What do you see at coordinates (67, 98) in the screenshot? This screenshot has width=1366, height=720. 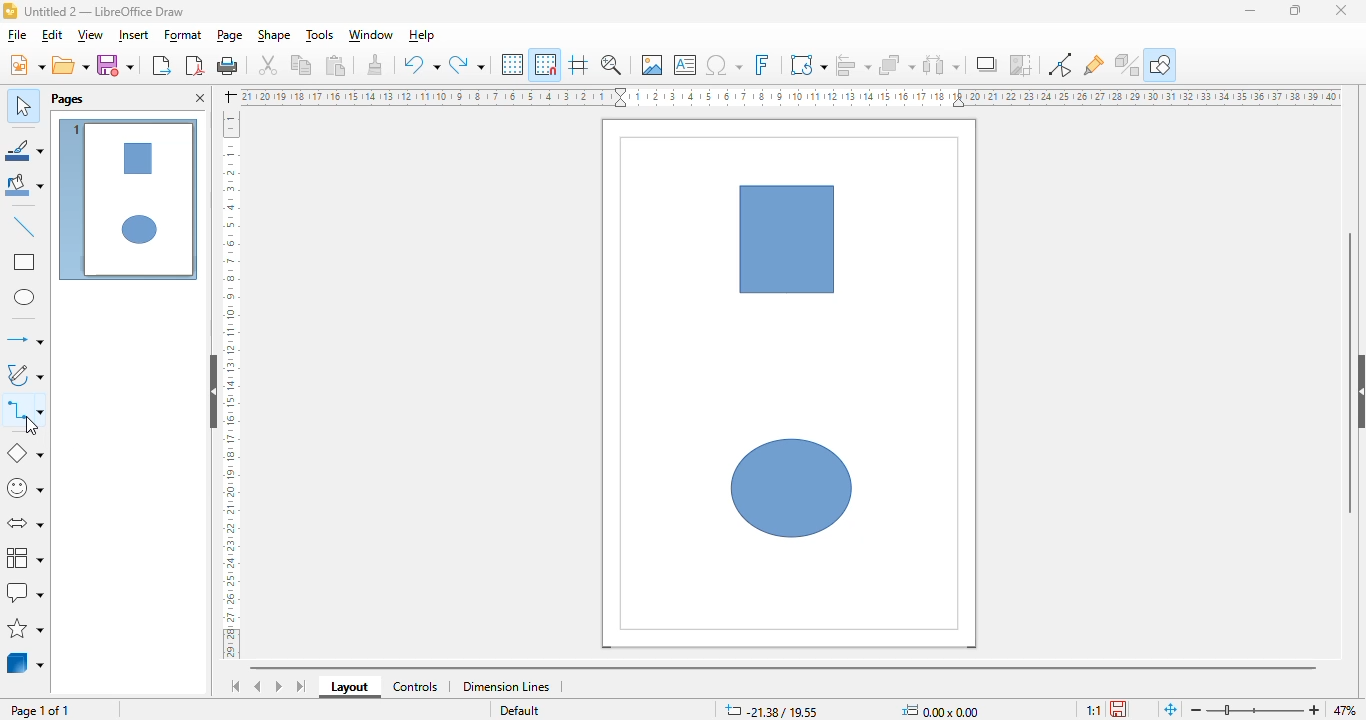 I see `pages` at bounding box center [67, 98].